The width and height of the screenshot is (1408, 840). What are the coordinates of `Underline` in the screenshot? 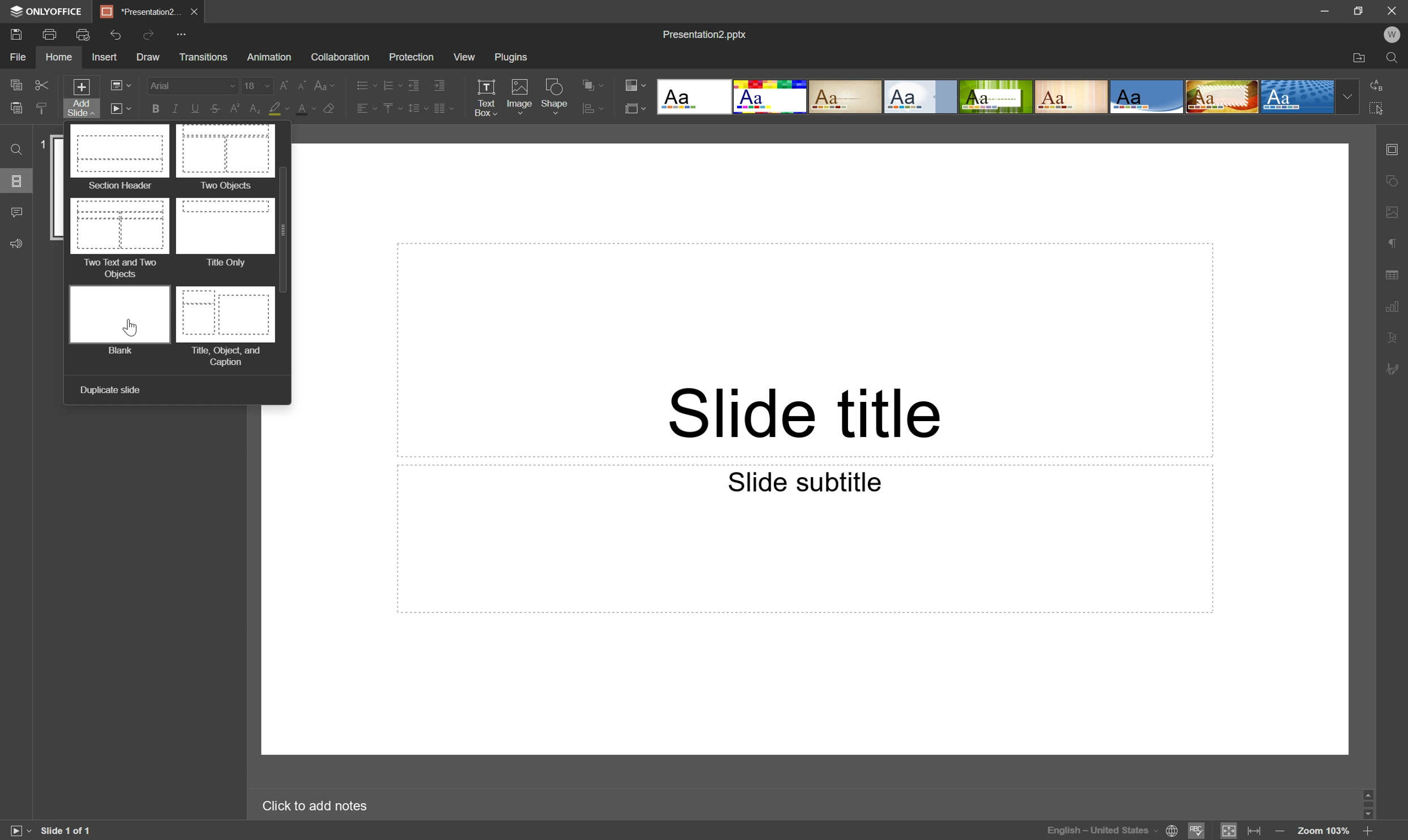 It's located at (193, 108).